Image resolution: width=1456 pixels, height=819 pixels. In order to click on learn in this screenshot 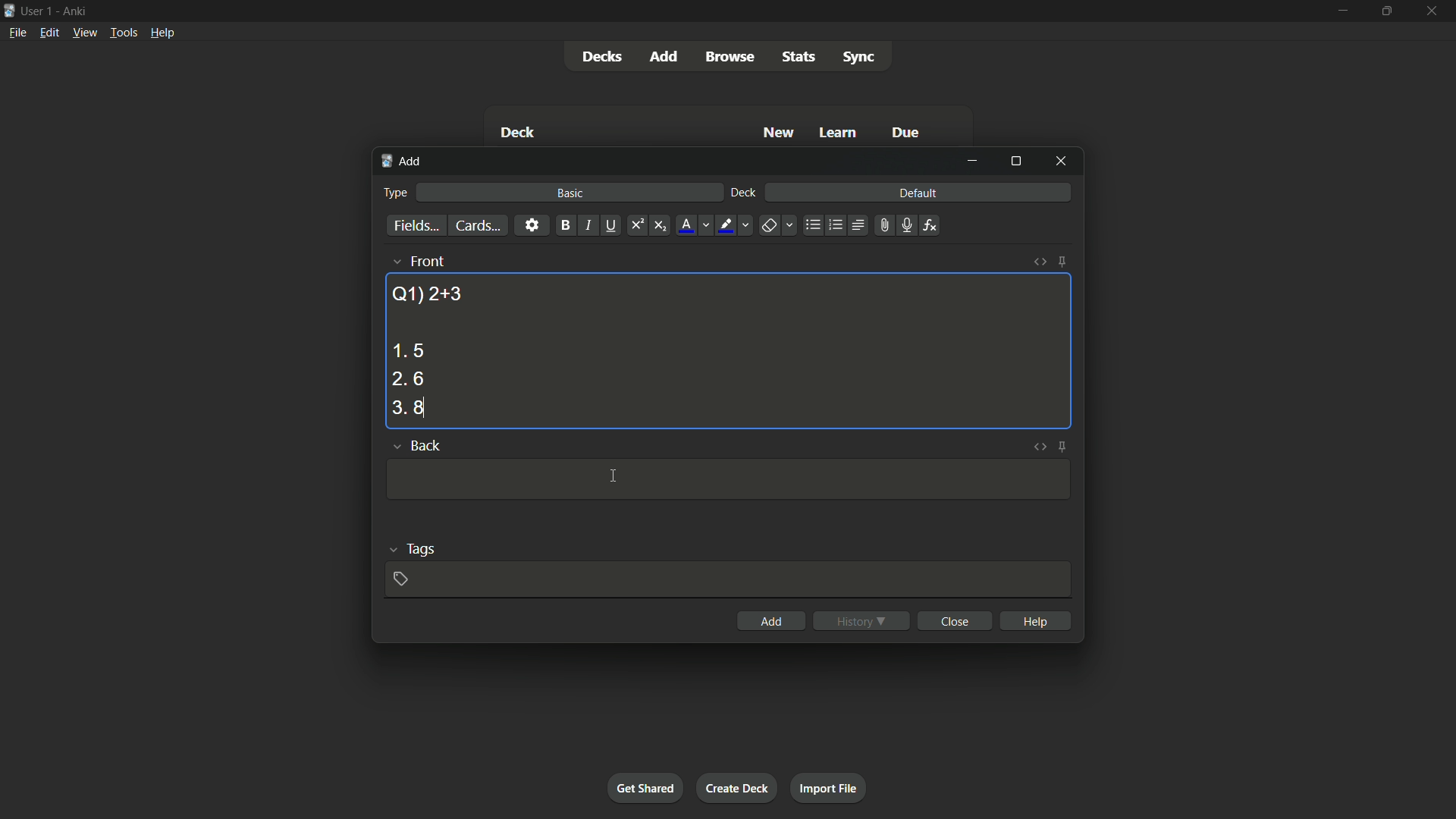, I will do `click(838, 133)`.